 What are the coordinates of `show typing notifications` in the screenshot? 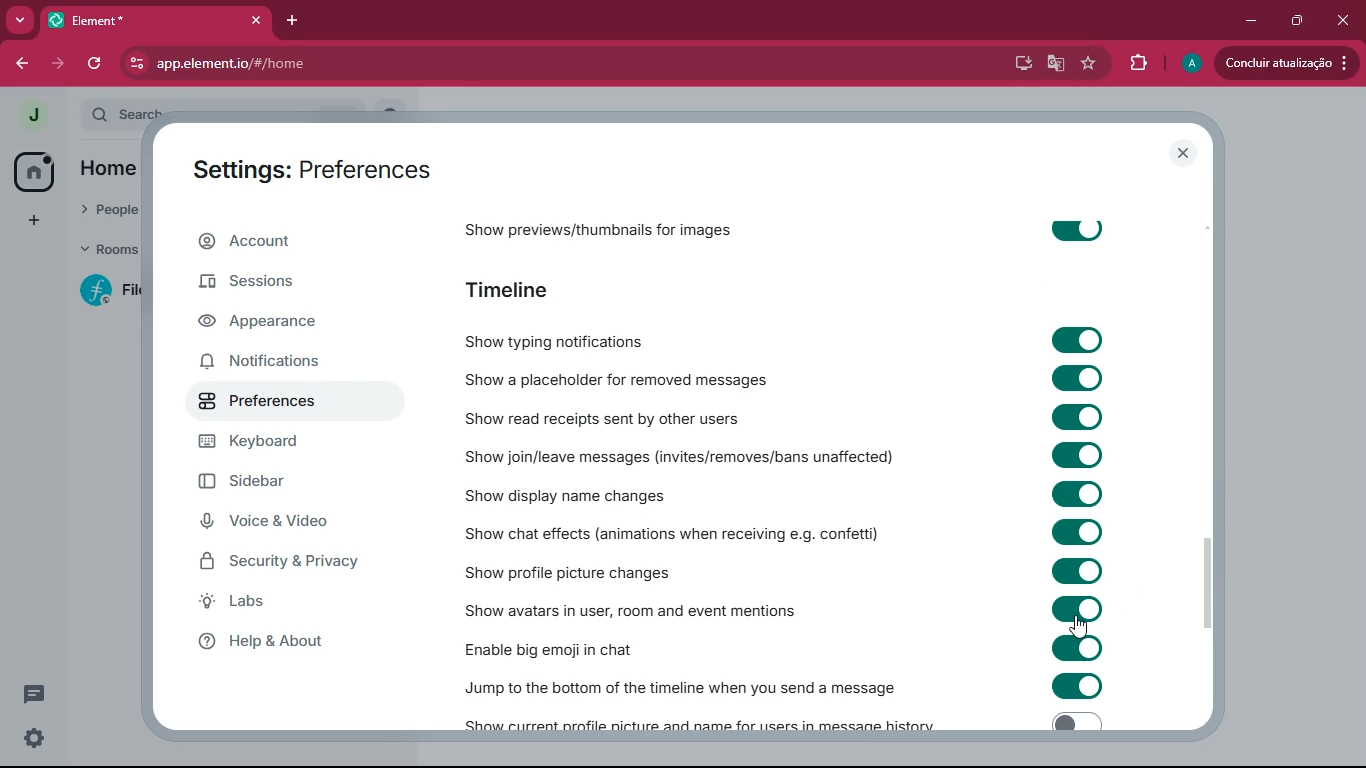 It's located at (601, 336).